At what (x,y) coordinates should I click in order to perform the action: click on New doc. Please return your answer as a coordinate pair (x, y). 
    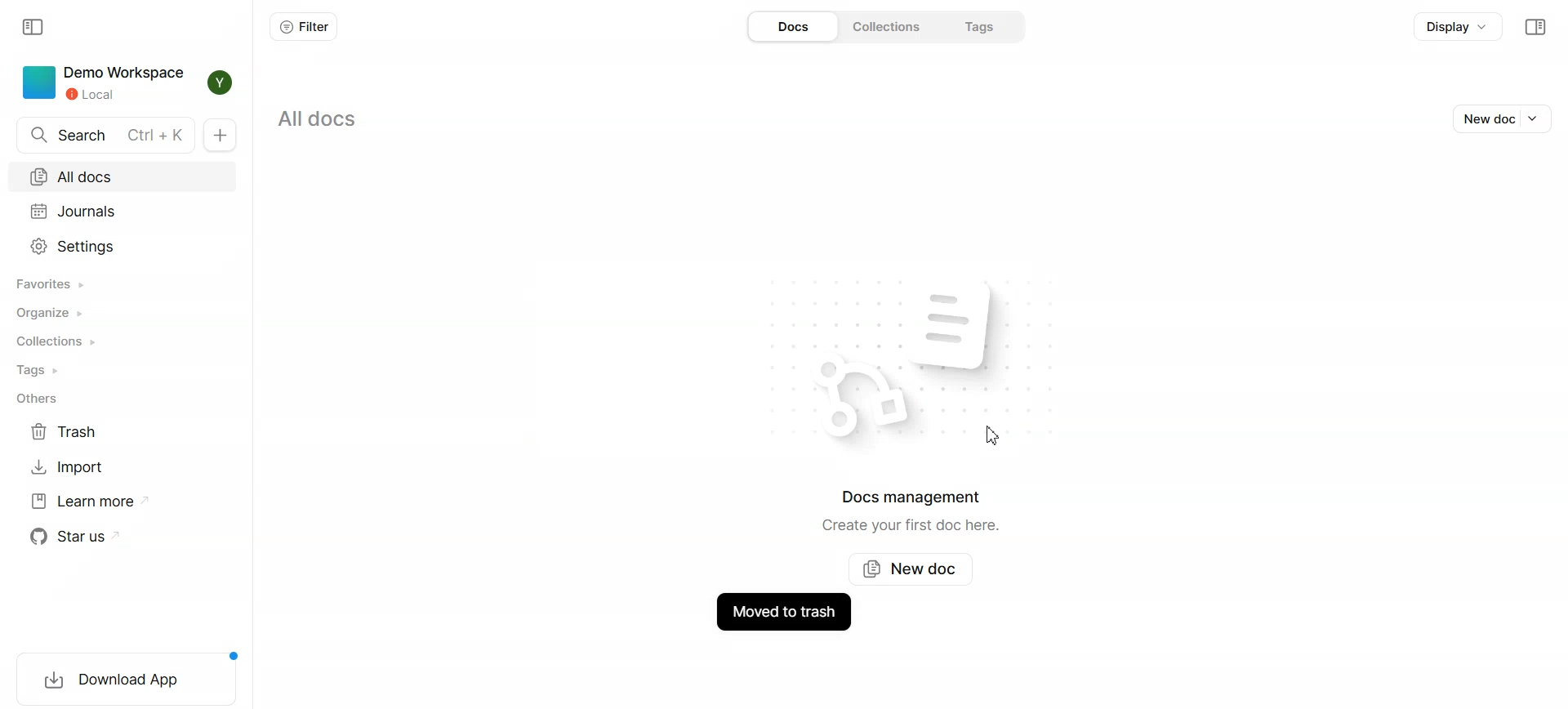
    Looking at the image, I should click on (911, 568).